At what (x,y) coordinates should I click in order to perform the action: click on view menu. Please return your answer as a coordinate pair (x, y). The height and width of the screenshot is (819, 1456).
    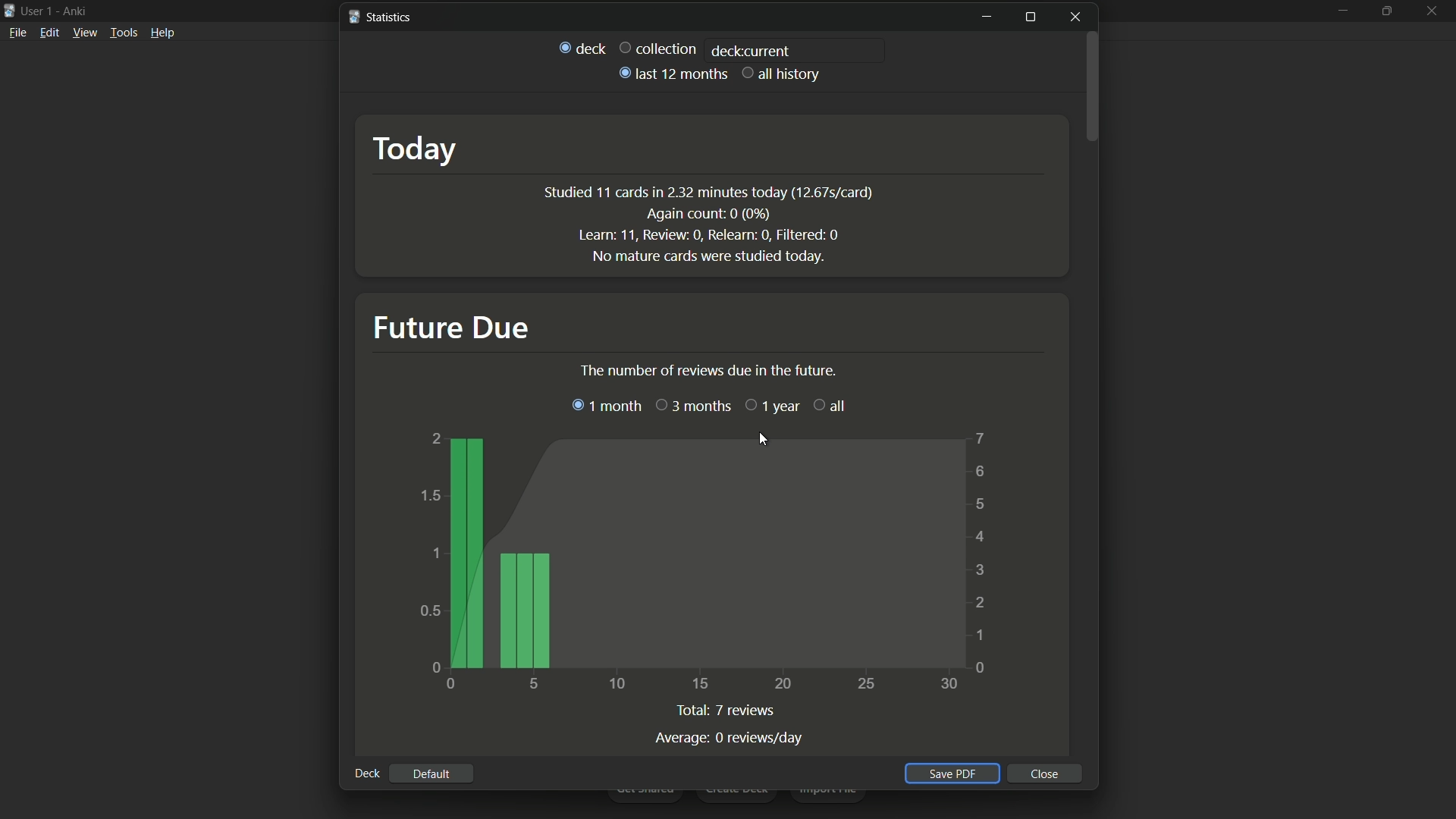
    Looking at the image, I should click on (85, 33).